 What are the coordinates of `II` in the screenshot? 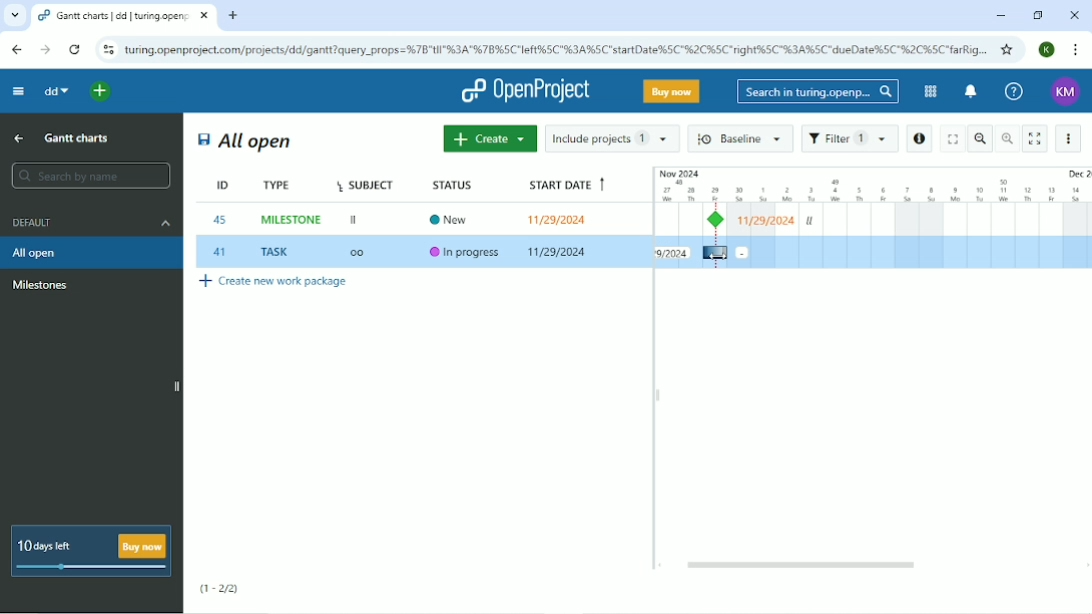 It's located at (355, 221).